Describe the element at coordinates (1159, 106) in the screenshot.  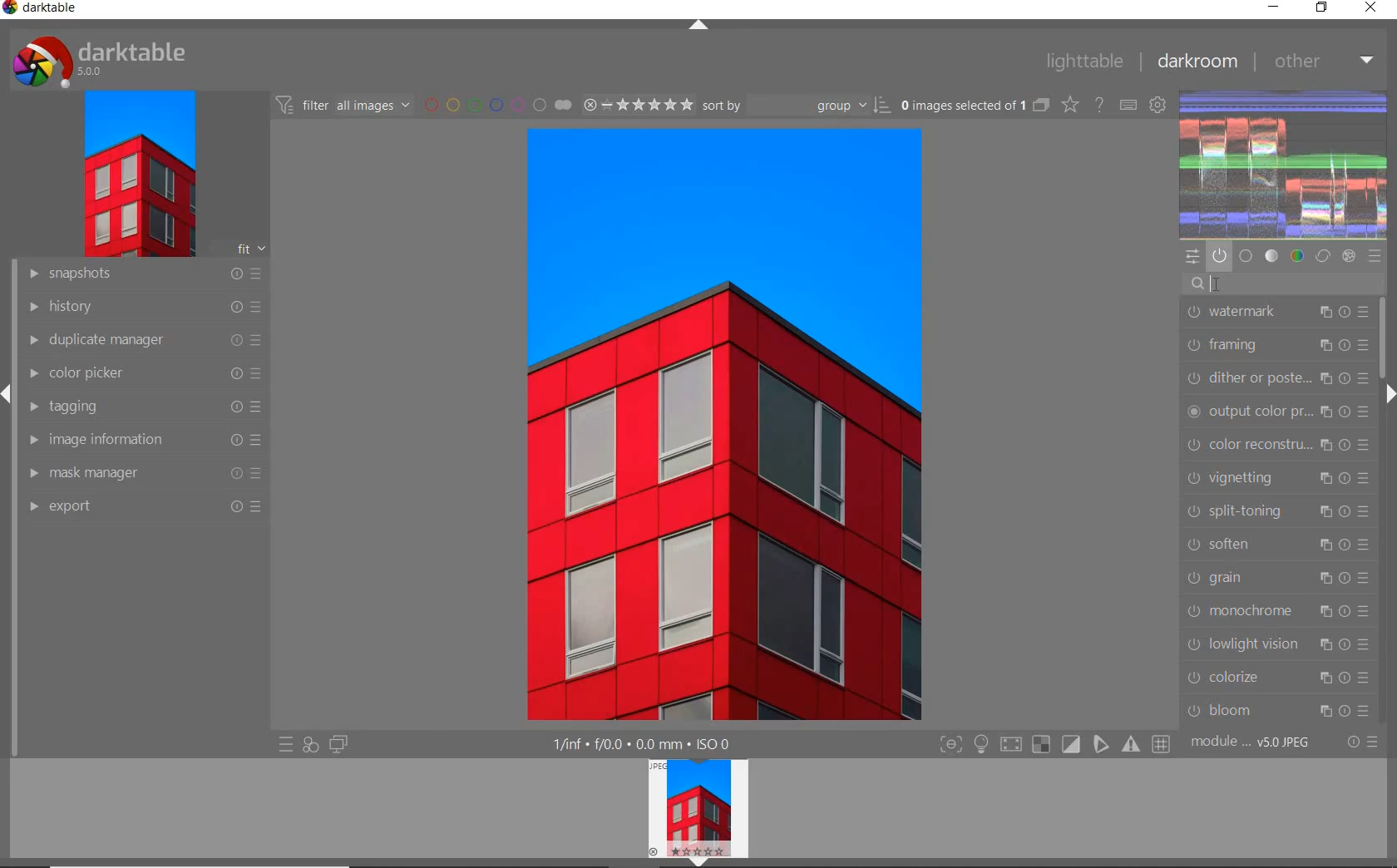
I see `show global preferences` at that location.